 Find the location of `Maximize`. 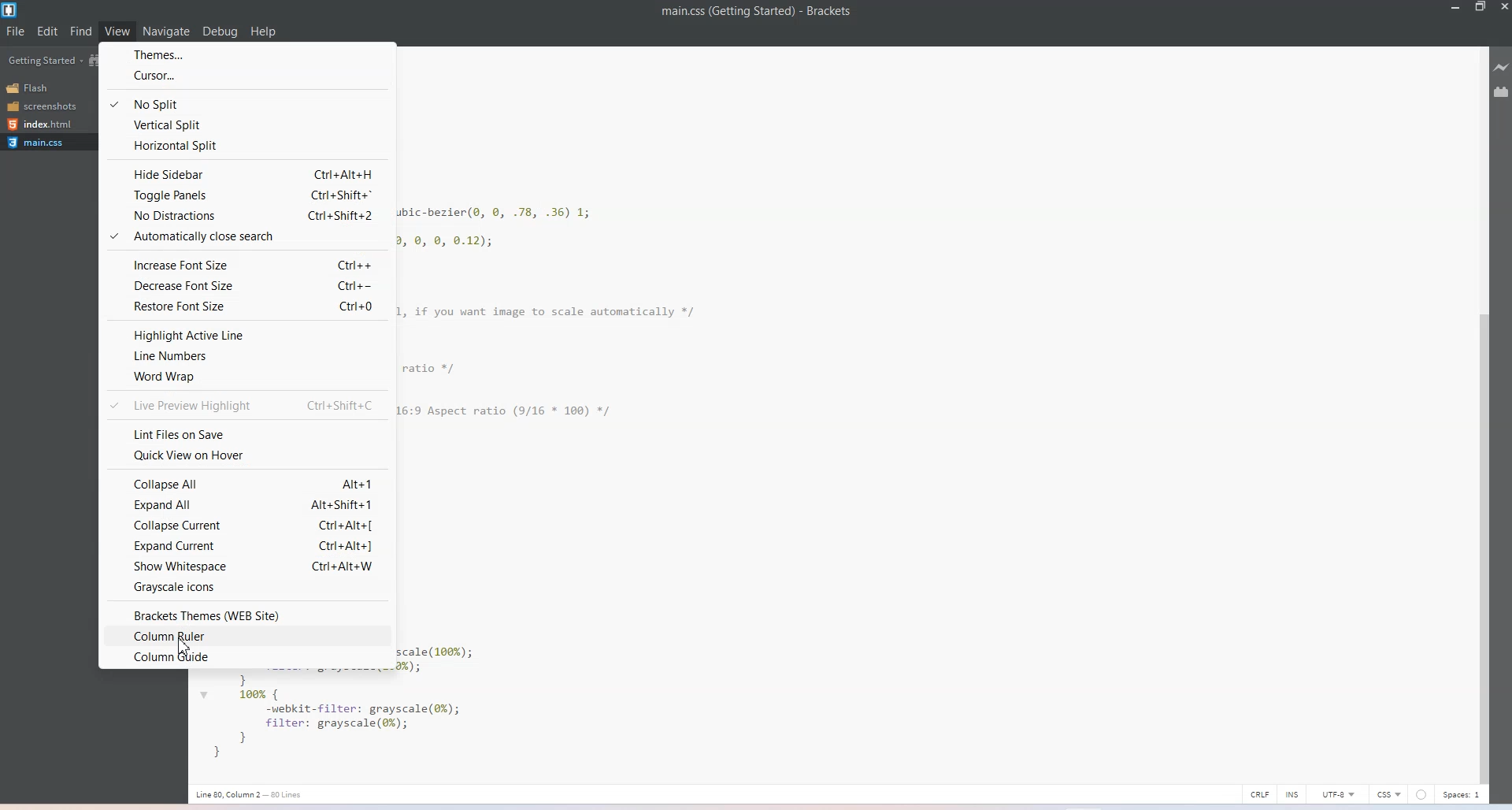

Maximize is located at coordinates (1480, 8).